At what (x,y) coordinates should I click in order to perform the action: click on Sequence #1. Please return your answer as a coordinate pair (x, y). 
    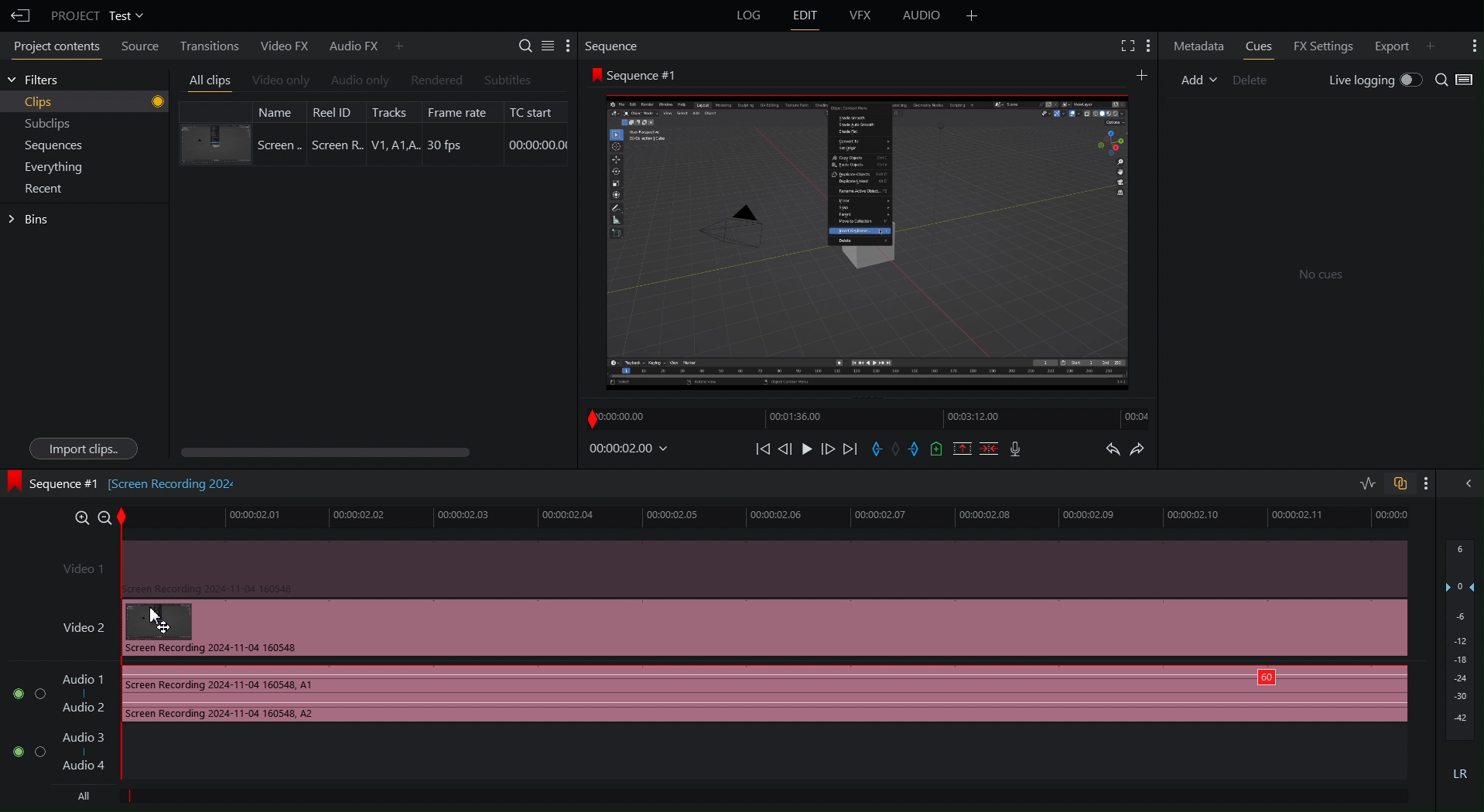
    Looking at the image, I should click on (641, 73).